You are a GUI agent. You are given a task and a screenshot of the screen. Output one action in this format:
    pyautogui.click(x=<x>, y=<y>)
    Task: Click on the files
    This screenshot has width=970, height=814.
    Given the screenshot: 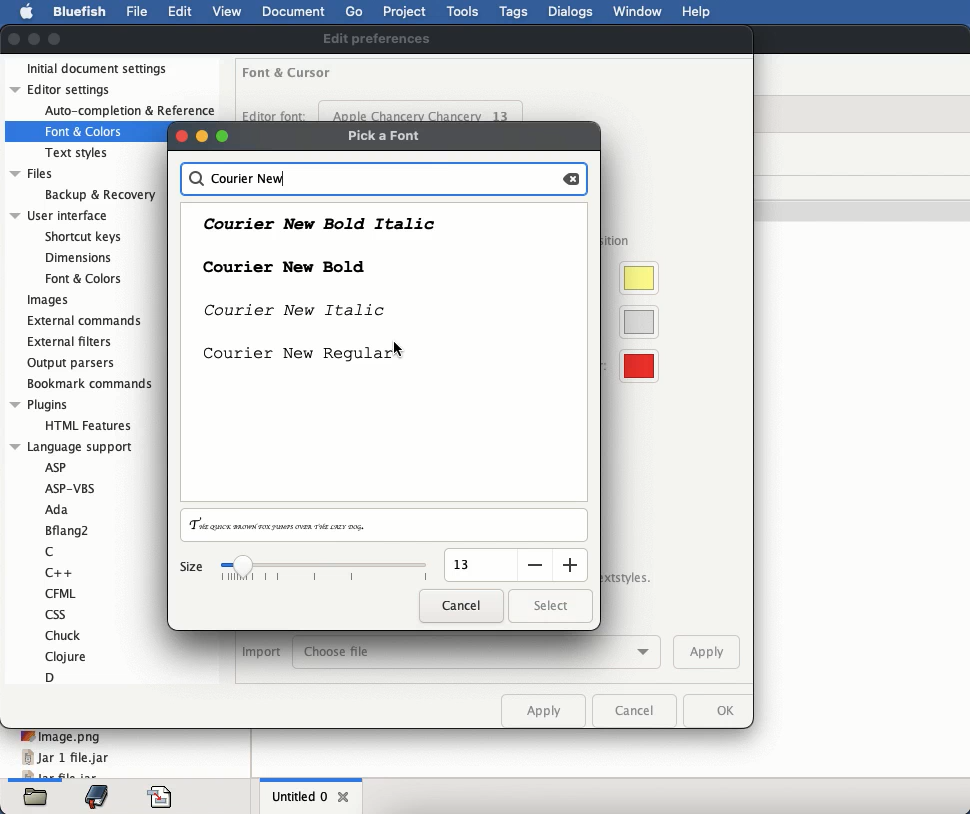 What is the action you would take?
    pyautogui.click(x=84, y=185)
    